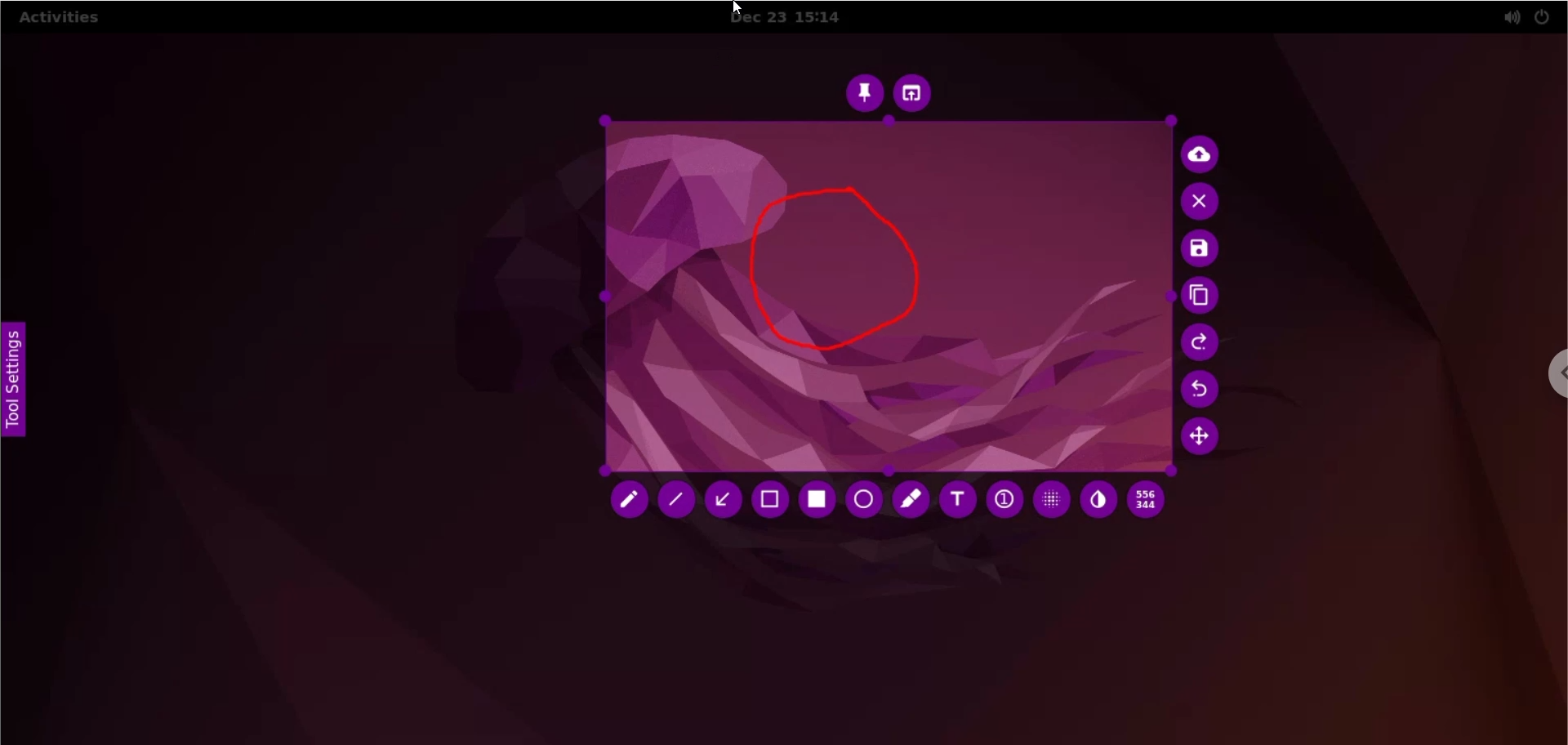 Image resolution: width=1568 pixels, height=745 pixels. Describe the element at coordinates (1004, 499) in the screenshot. I see `auto increment` at that location.